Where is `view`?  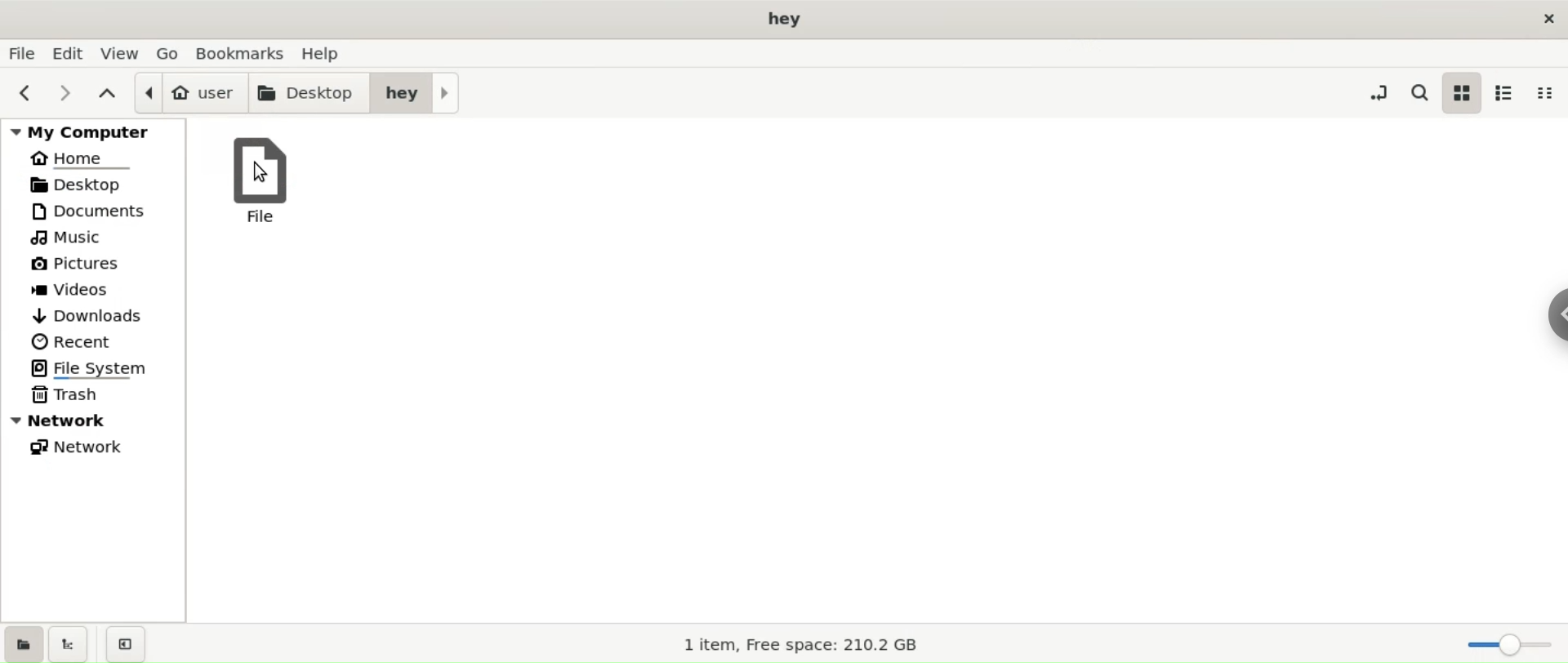 view is located at coordinates (121, 54).